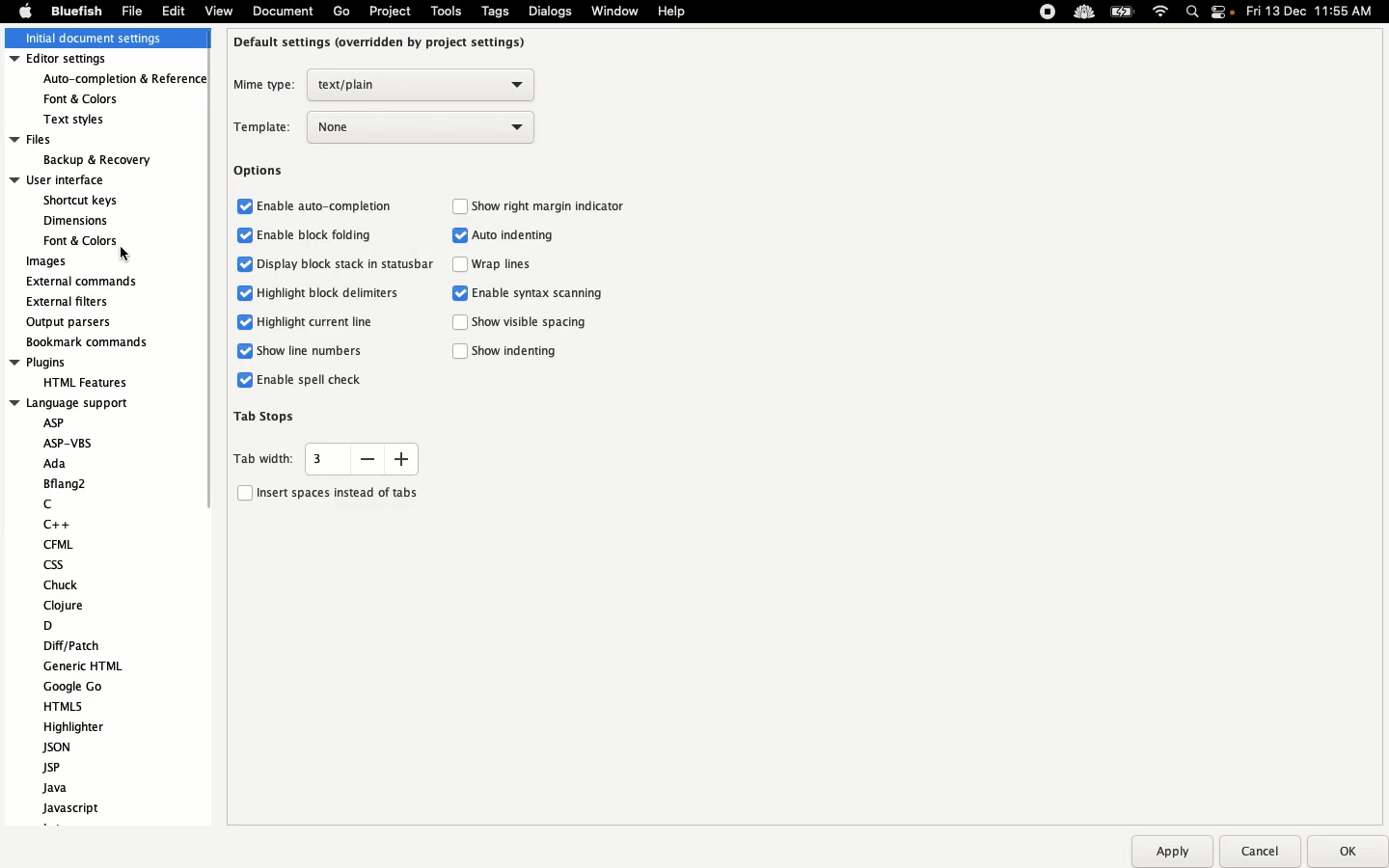 This screenshot has height=868, width=1389. I want to click on Bluefish, so click(73, 12).